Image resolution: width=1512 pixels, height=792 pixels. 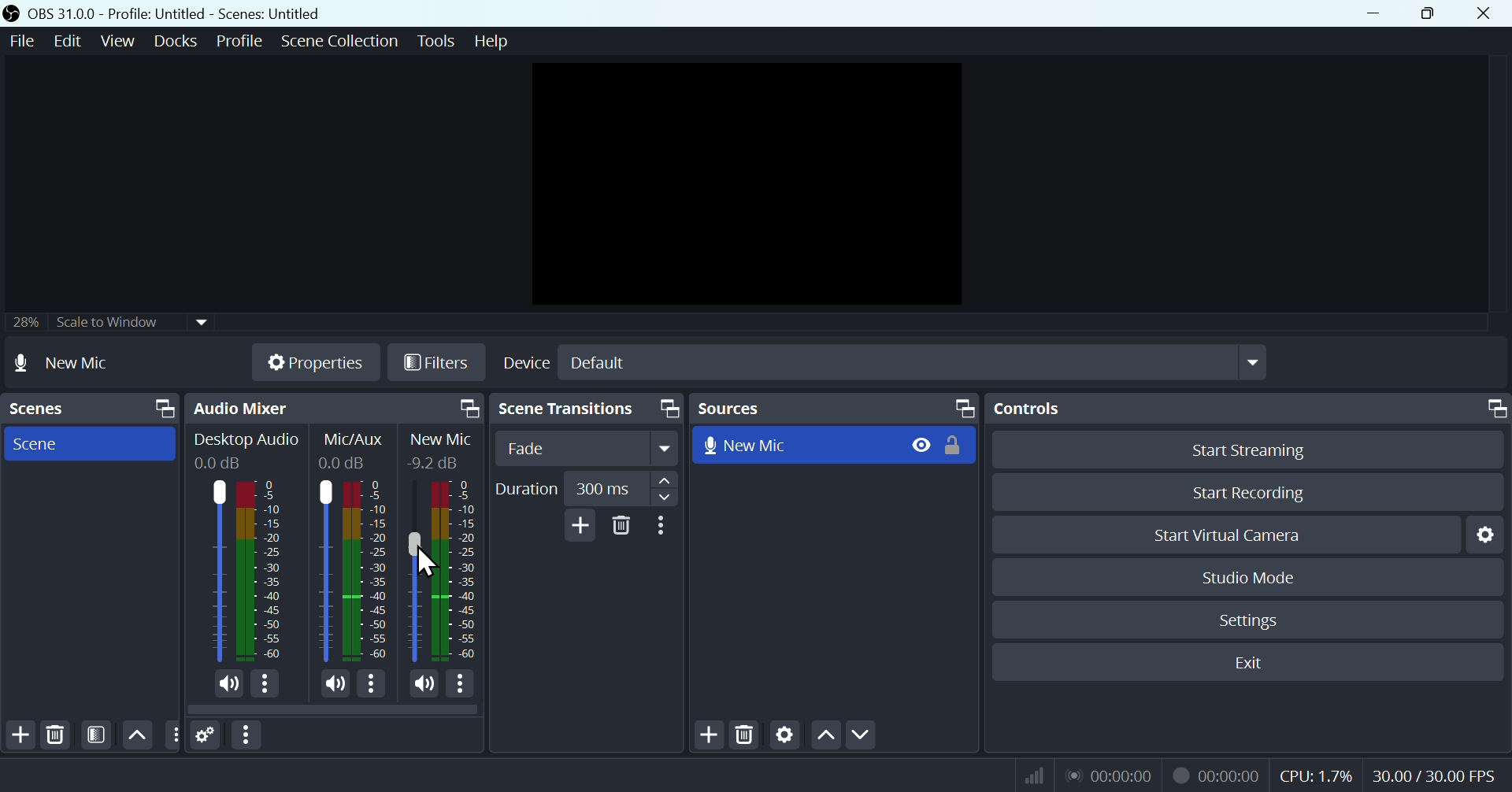 What do you see at coordinates (248, 735) in the screenshot?
I see `More options` at bounding box center [248, 735].